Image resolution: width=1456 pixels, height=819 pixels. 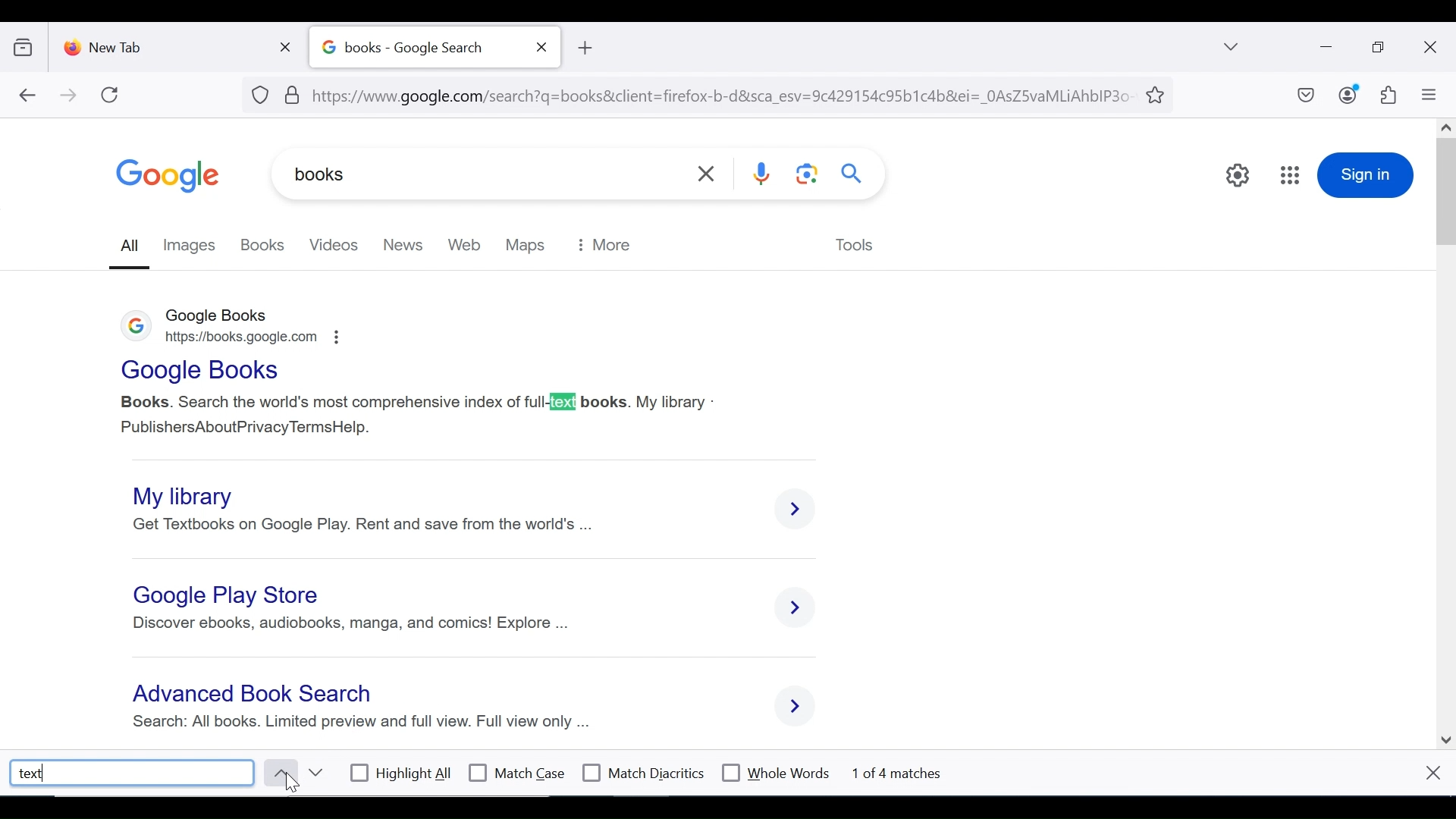 What do you see at coordinates (202, 372) in the screenshot?
I see `Google Books` at bounding box center [202, 372].